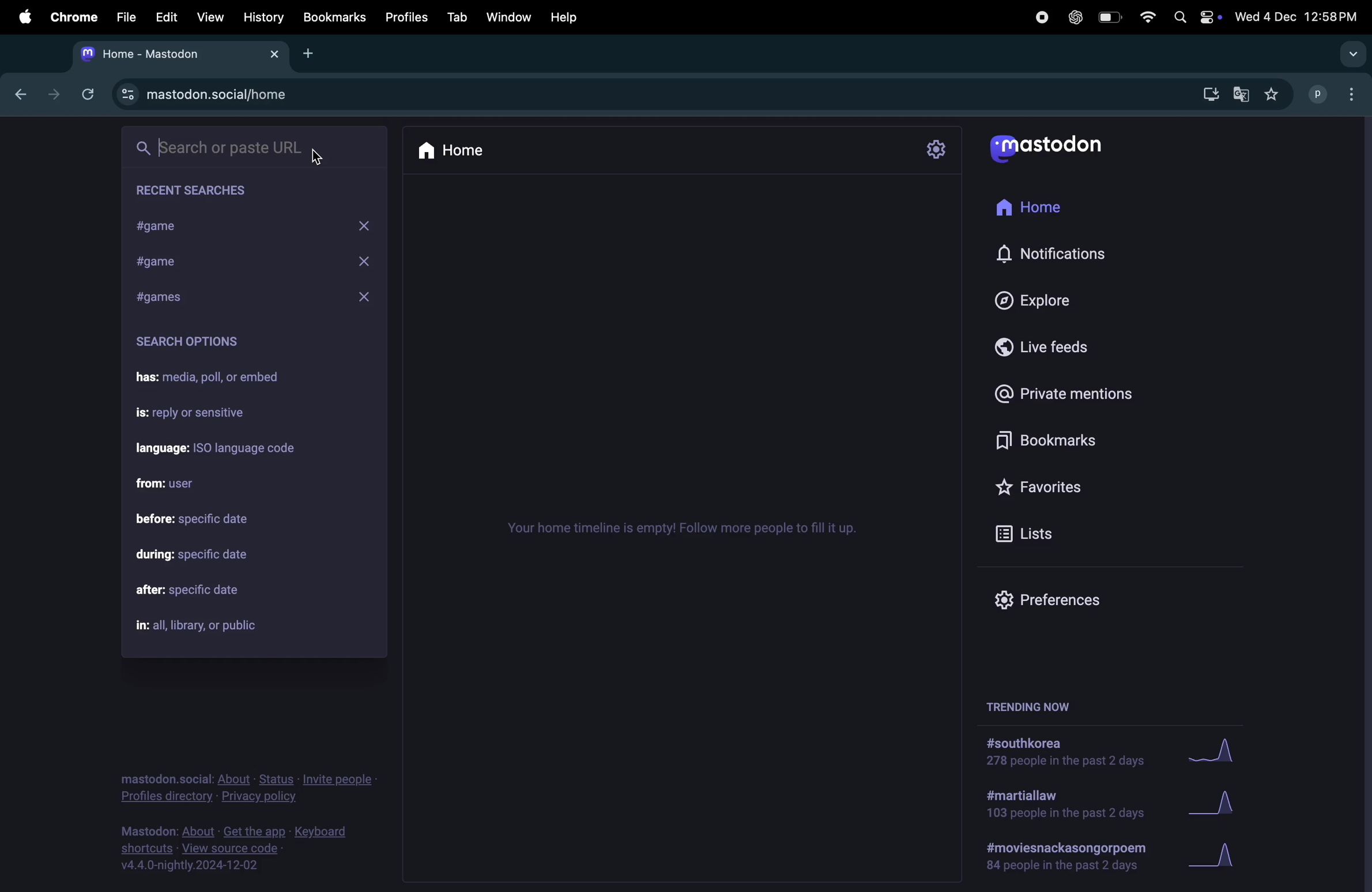 This screenshot has width=1372, height=892. Describe the element at coordinates (938, 148) in the screenshot. I see `setting` at that location.